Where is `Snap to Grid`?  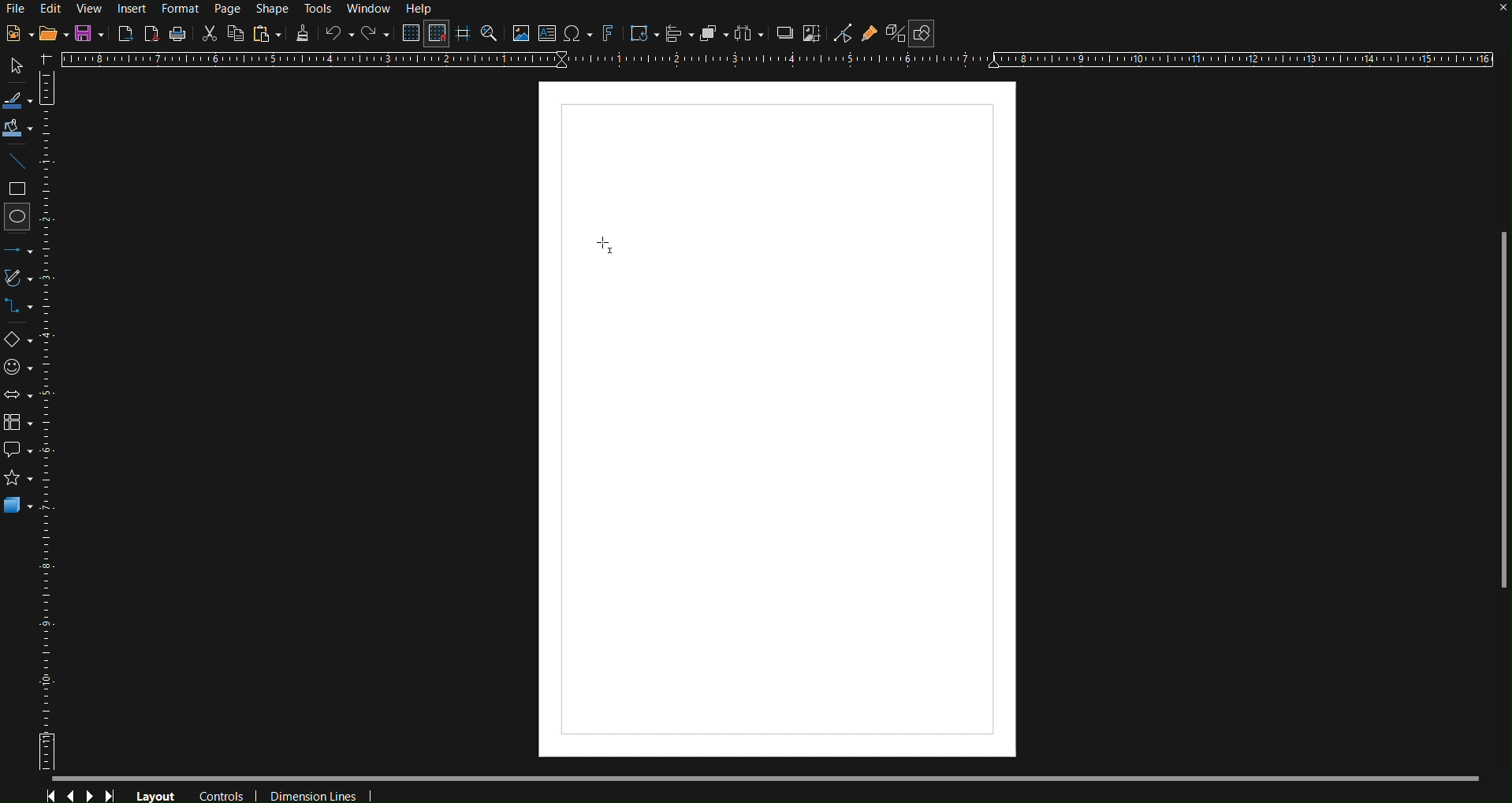
Snap to Grid is located at coordinates (437, 35).